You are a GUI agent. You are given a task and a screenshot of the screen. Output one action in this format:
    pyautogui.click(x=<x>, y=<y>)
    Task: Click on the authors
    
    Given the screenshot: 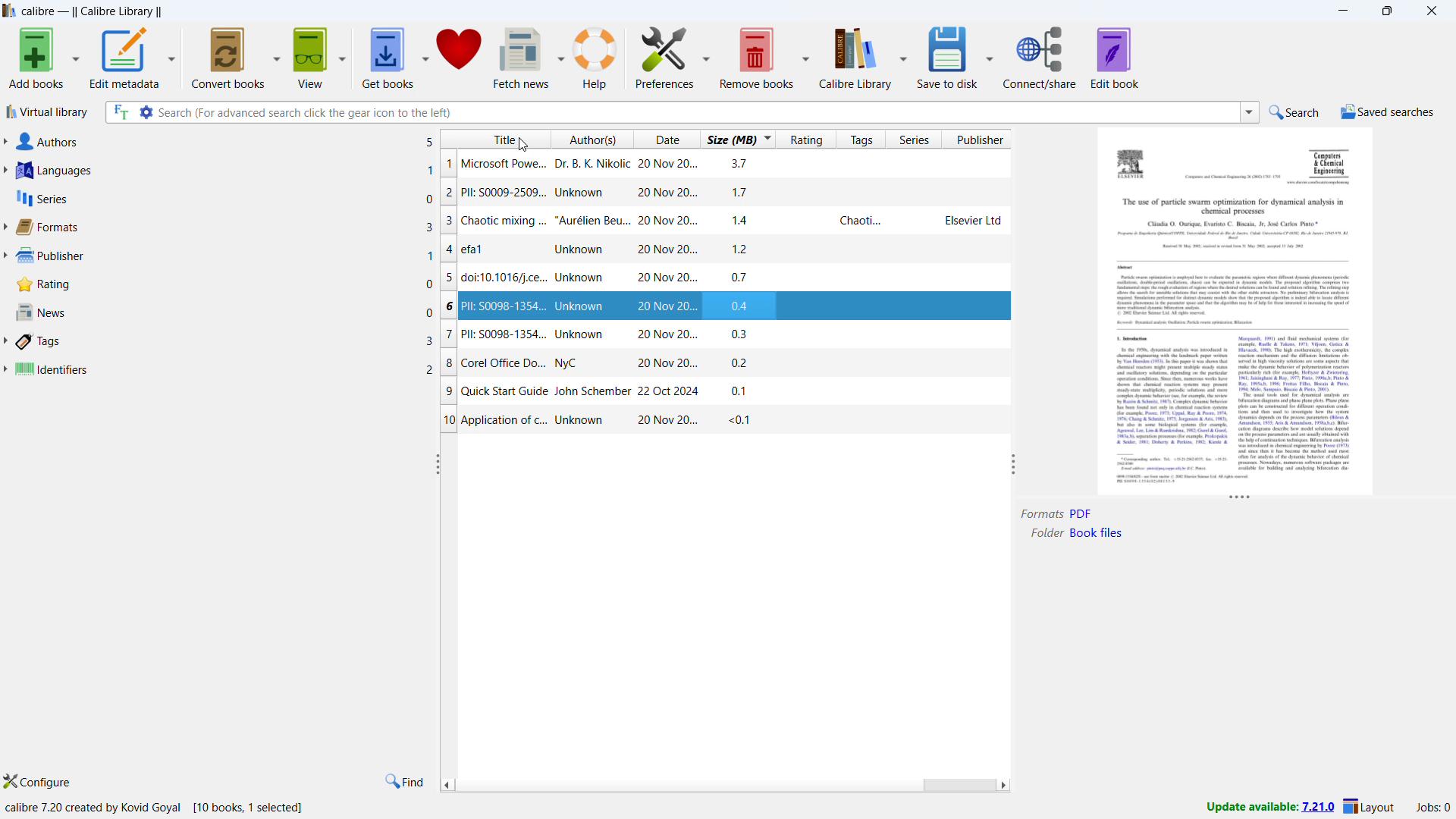 What is the action you would take?
    pyautogui.click(x=225, y=142)
    